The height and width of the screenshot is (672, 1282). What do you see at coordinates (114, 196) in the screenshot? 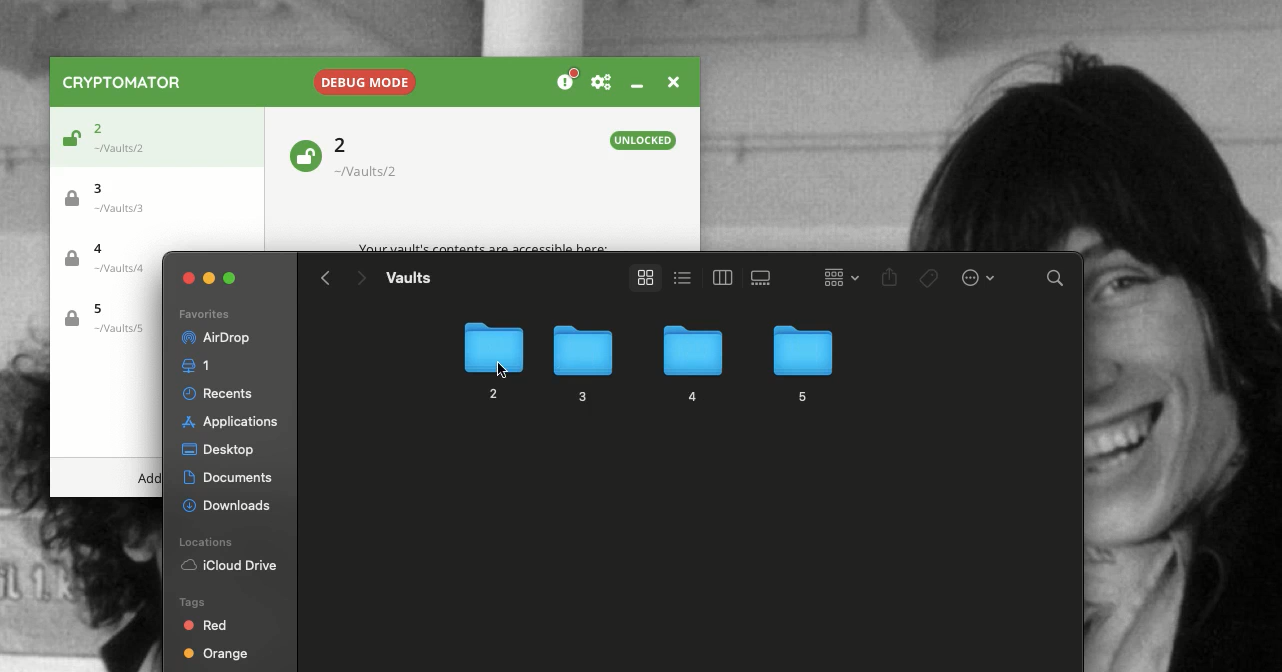
I see `Vault 3` at bounding box center [114, 196].